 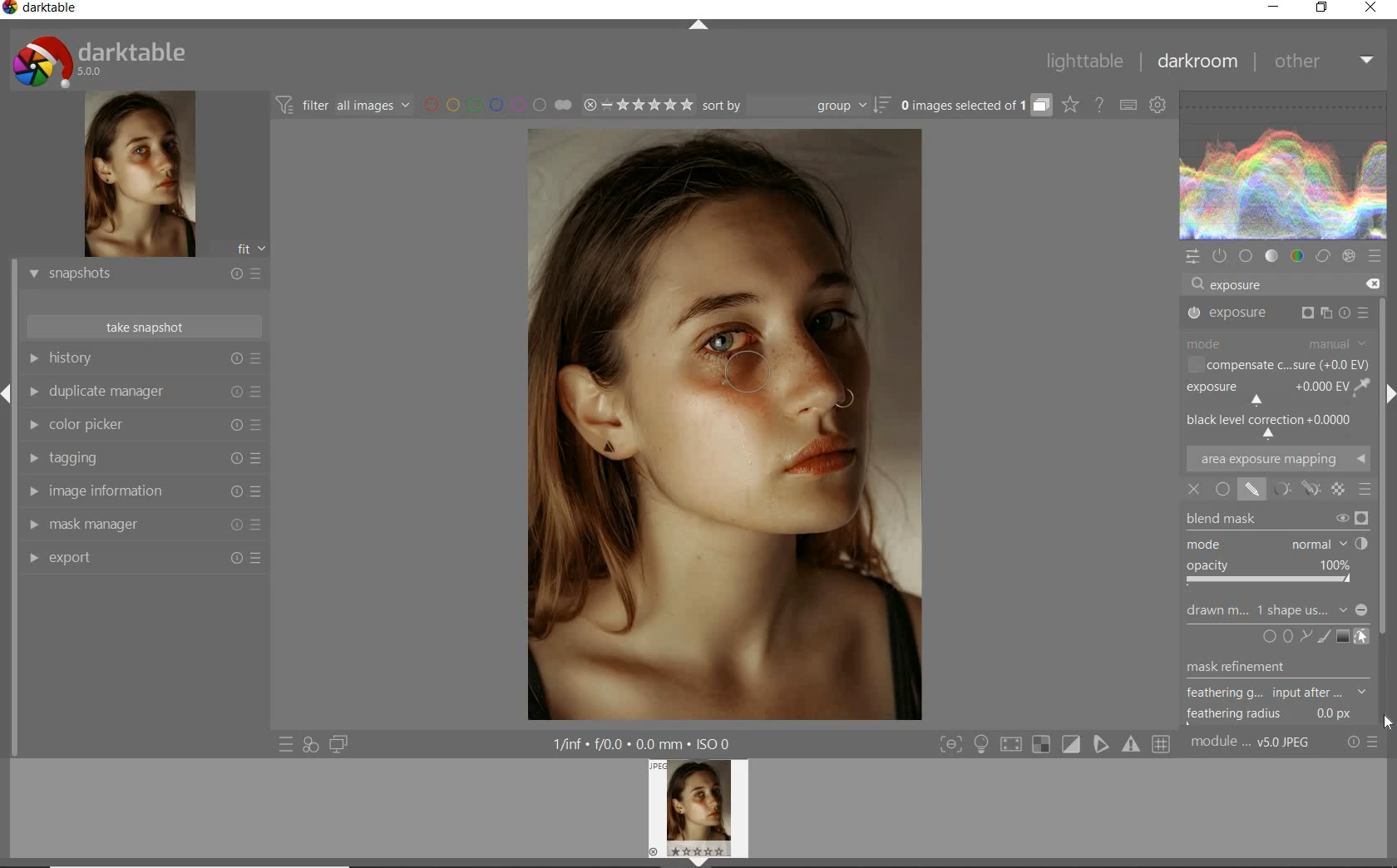 What do you see at coordinates (1278, 315) in the screenshot?
I see `EXPOSURE` at bounding box center [1278, 315].